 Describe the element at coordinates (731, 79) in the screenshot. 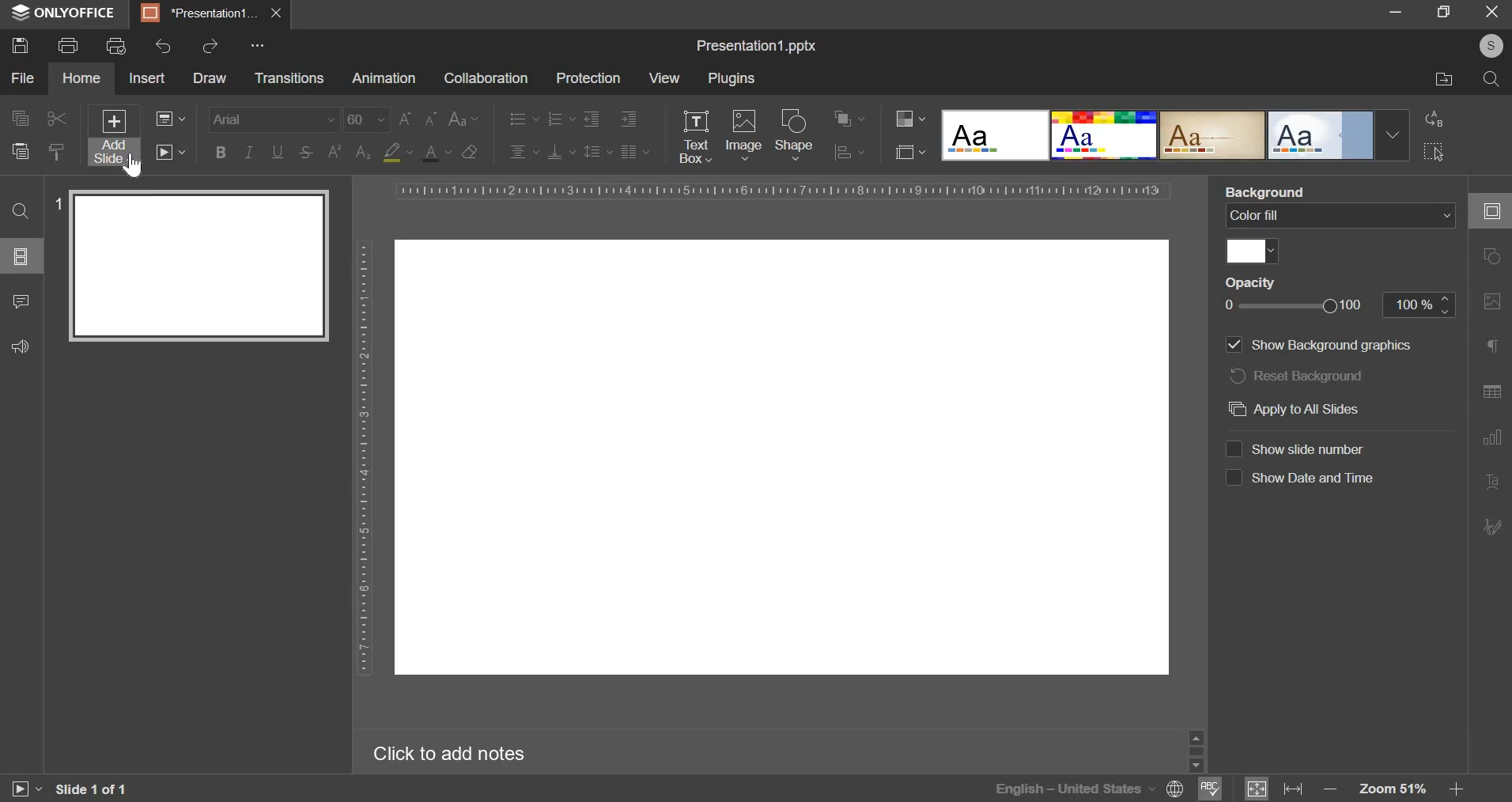

I see `plugins` at that location.